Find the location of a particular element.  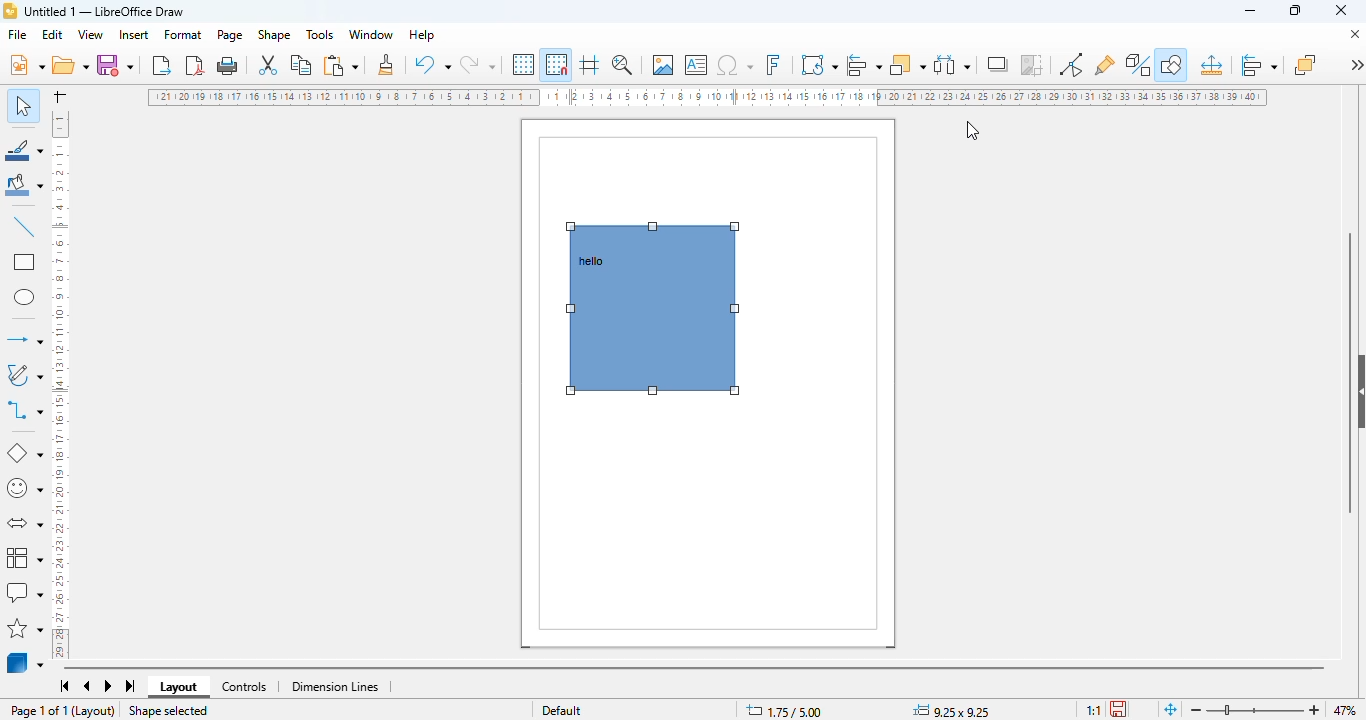

horizontal scroll bar is located at coordinates (693, 668).